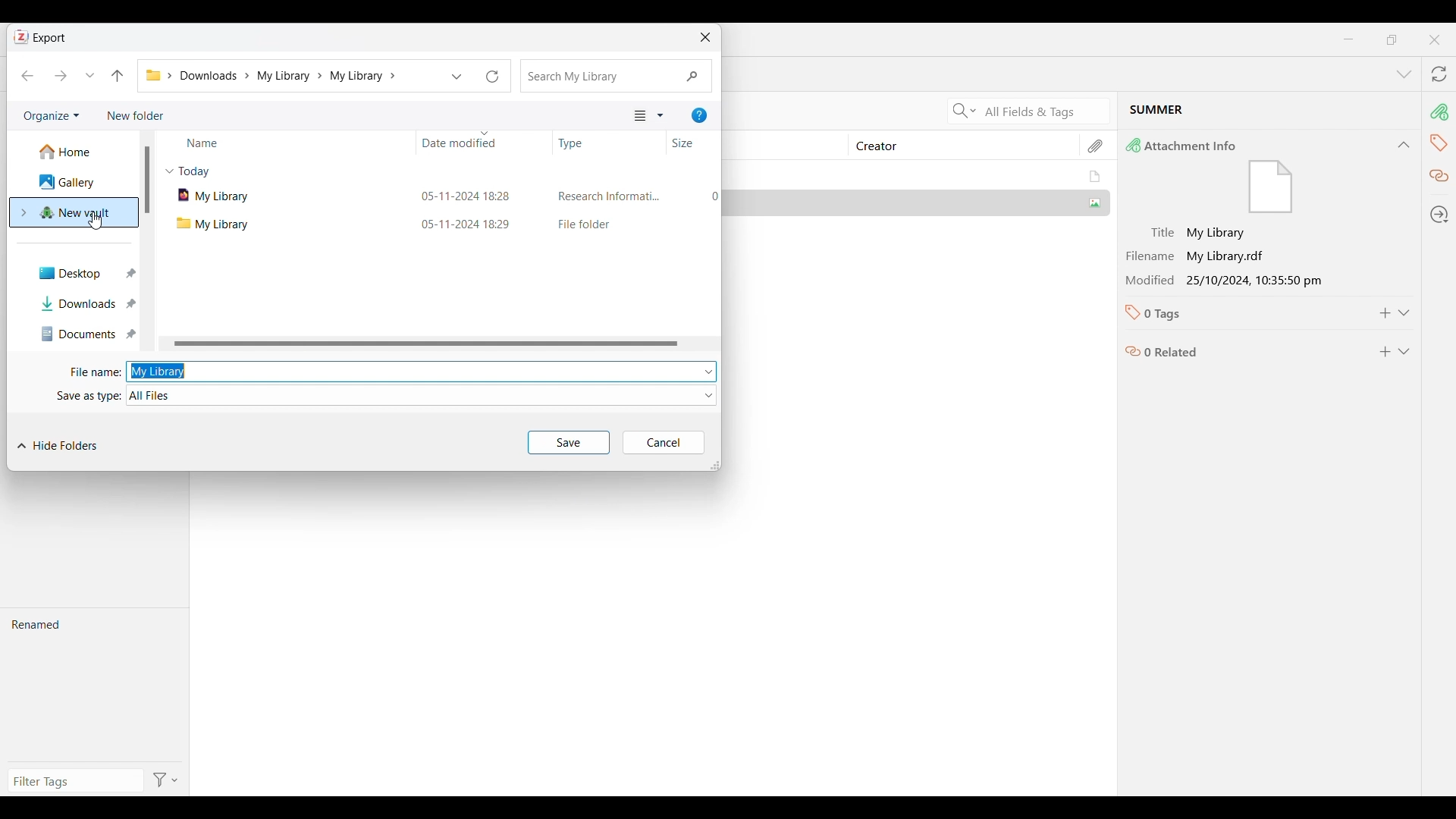 Image resolution: width=1456 pixels, height=819 pixels. I want to click on Renamed, so click(94, 685).